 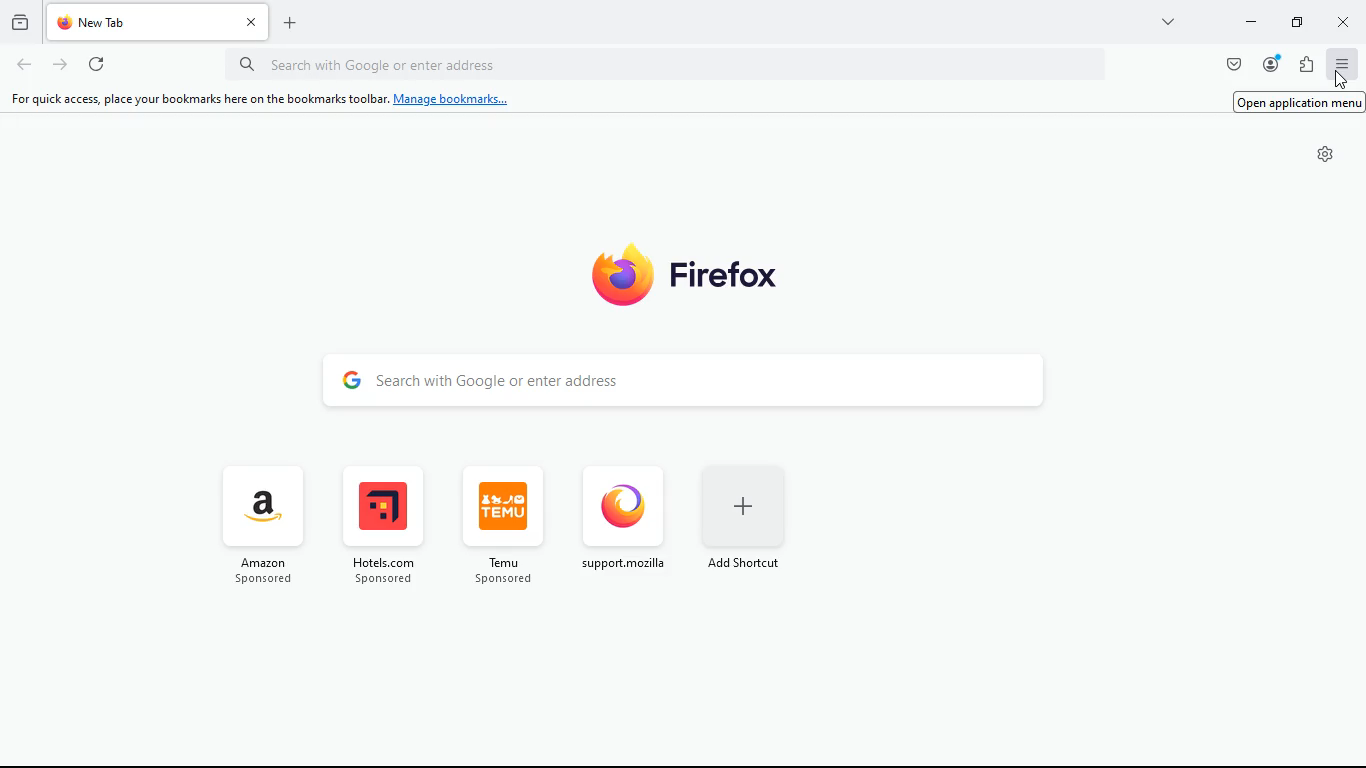 What do you see at coordinates (381, 529) in the screenshot?
I see `hotels.com` at bounding box center [381, 529].